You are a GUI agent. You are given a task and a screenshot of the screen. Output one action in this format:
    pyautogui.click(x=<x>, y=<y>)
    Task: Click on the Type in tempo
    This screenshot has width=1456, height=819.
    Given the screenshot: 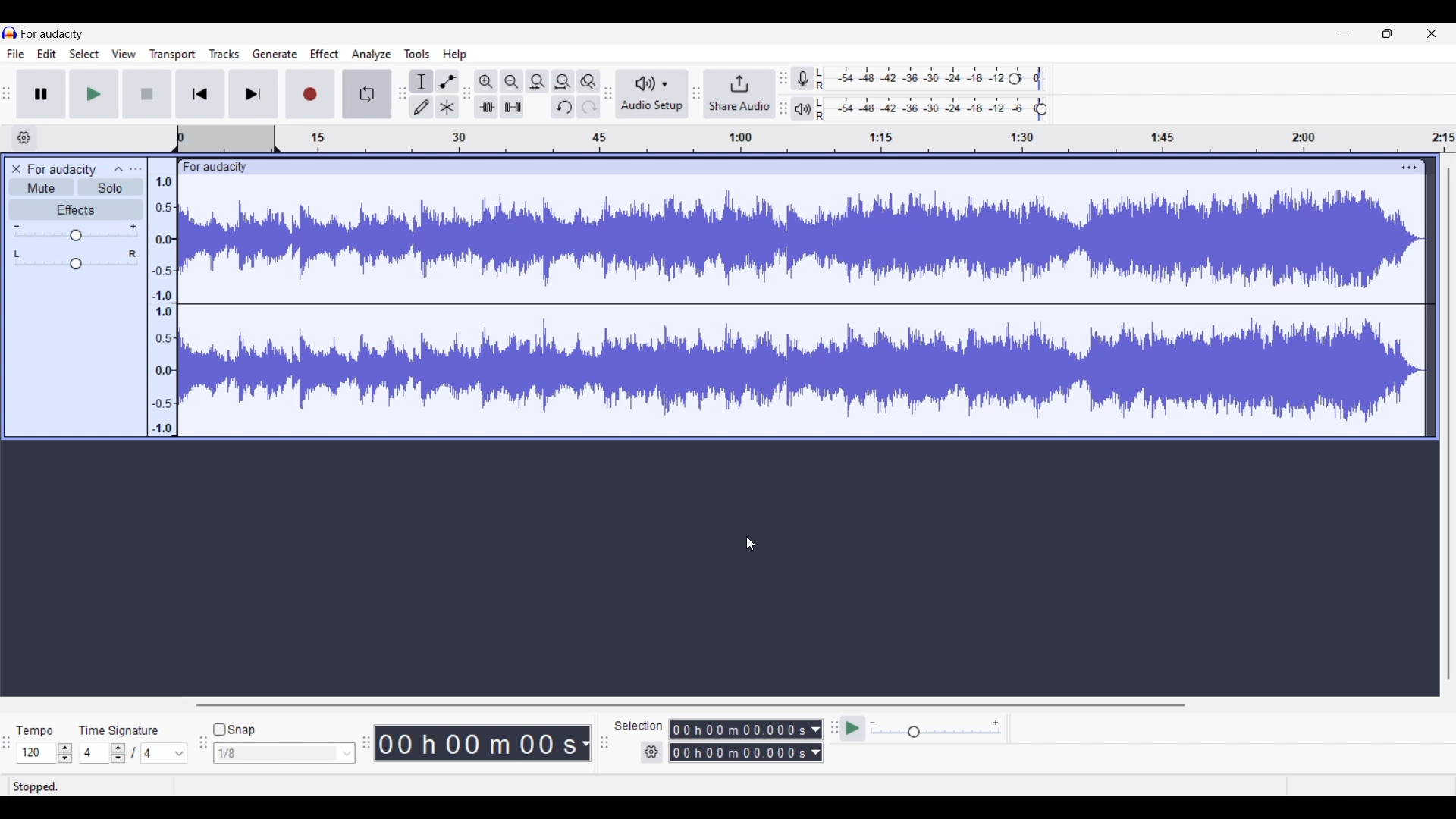 What is the action you would take?
    pyautogui.click(x=37, y=754)
    